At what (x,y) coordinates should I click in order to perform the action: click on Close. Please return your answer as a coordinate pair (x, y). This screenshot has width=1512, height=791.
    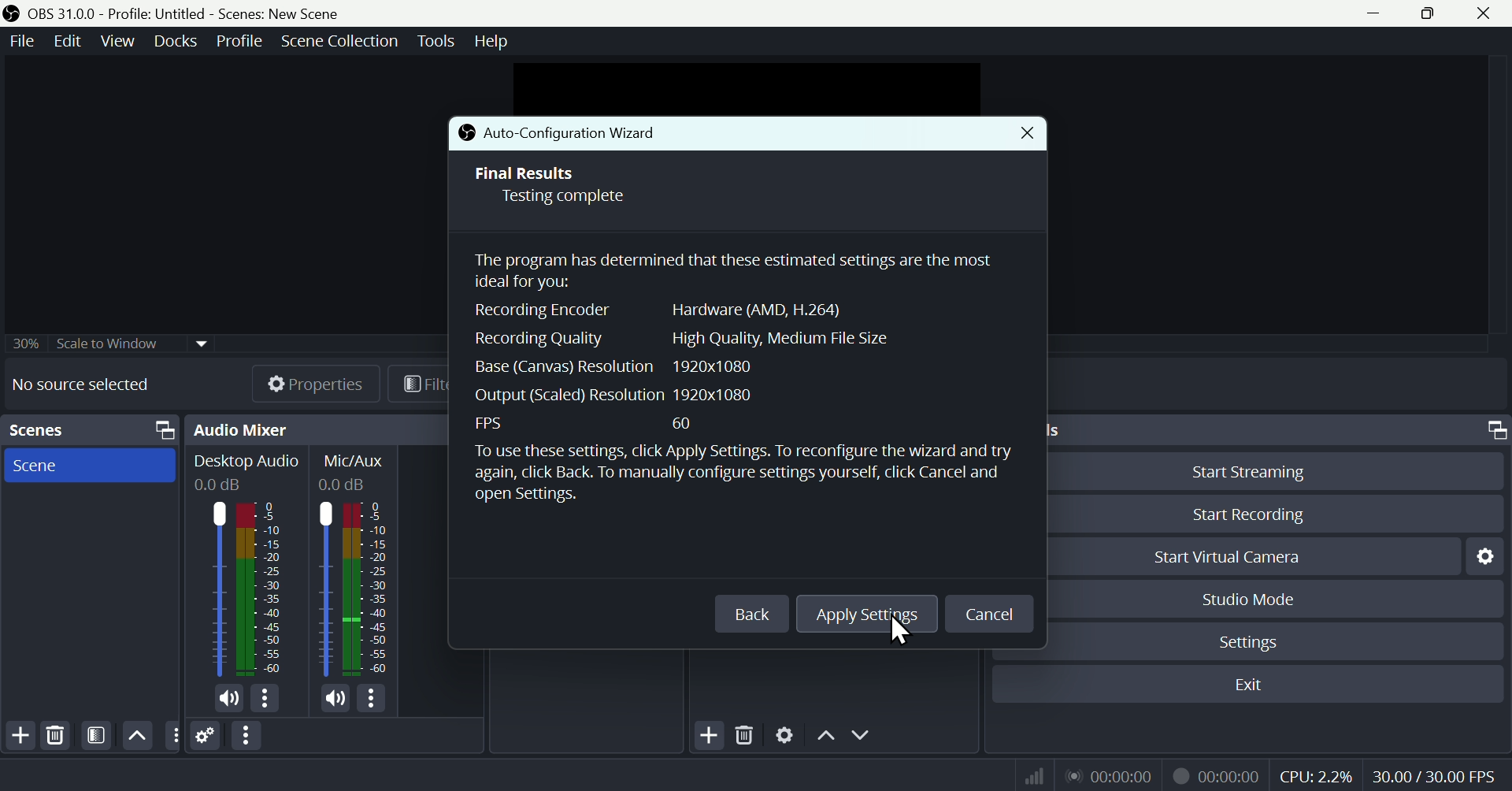
    Looking at the image, I should click on (1025, 134).